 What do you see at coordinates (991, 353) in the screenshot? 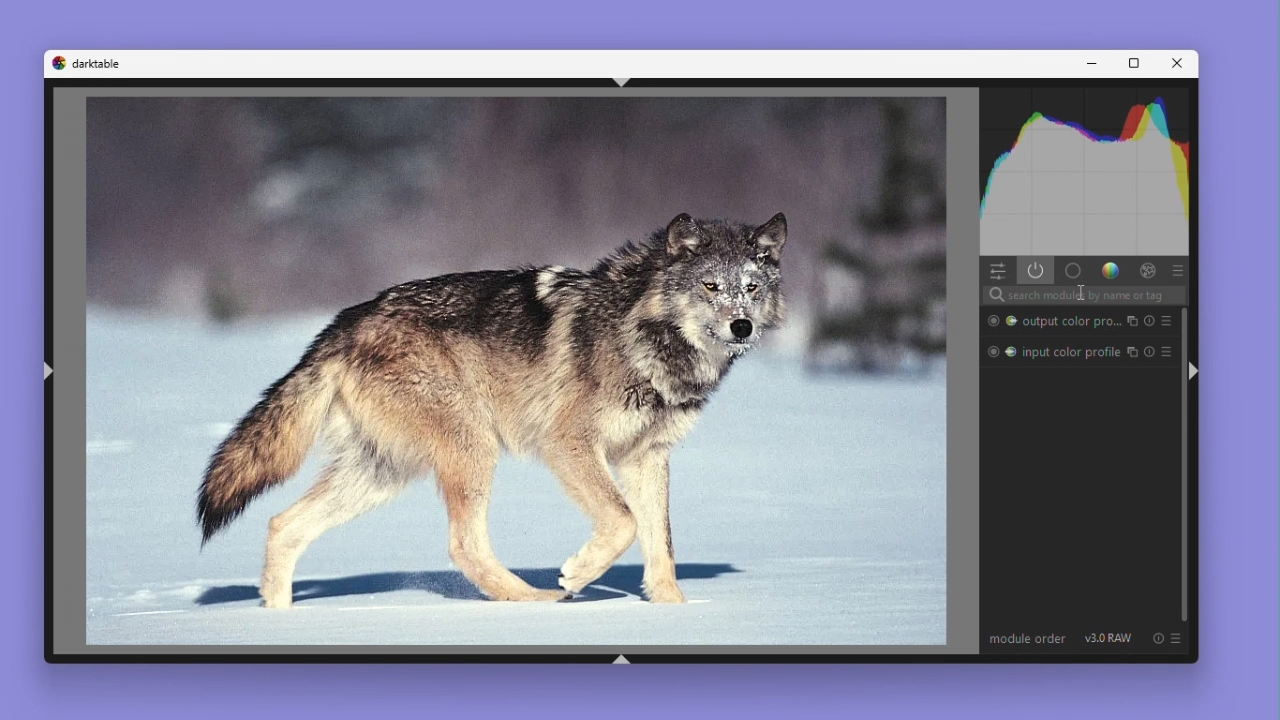
I see `Radial Mask` at bounding box center [991, 353].